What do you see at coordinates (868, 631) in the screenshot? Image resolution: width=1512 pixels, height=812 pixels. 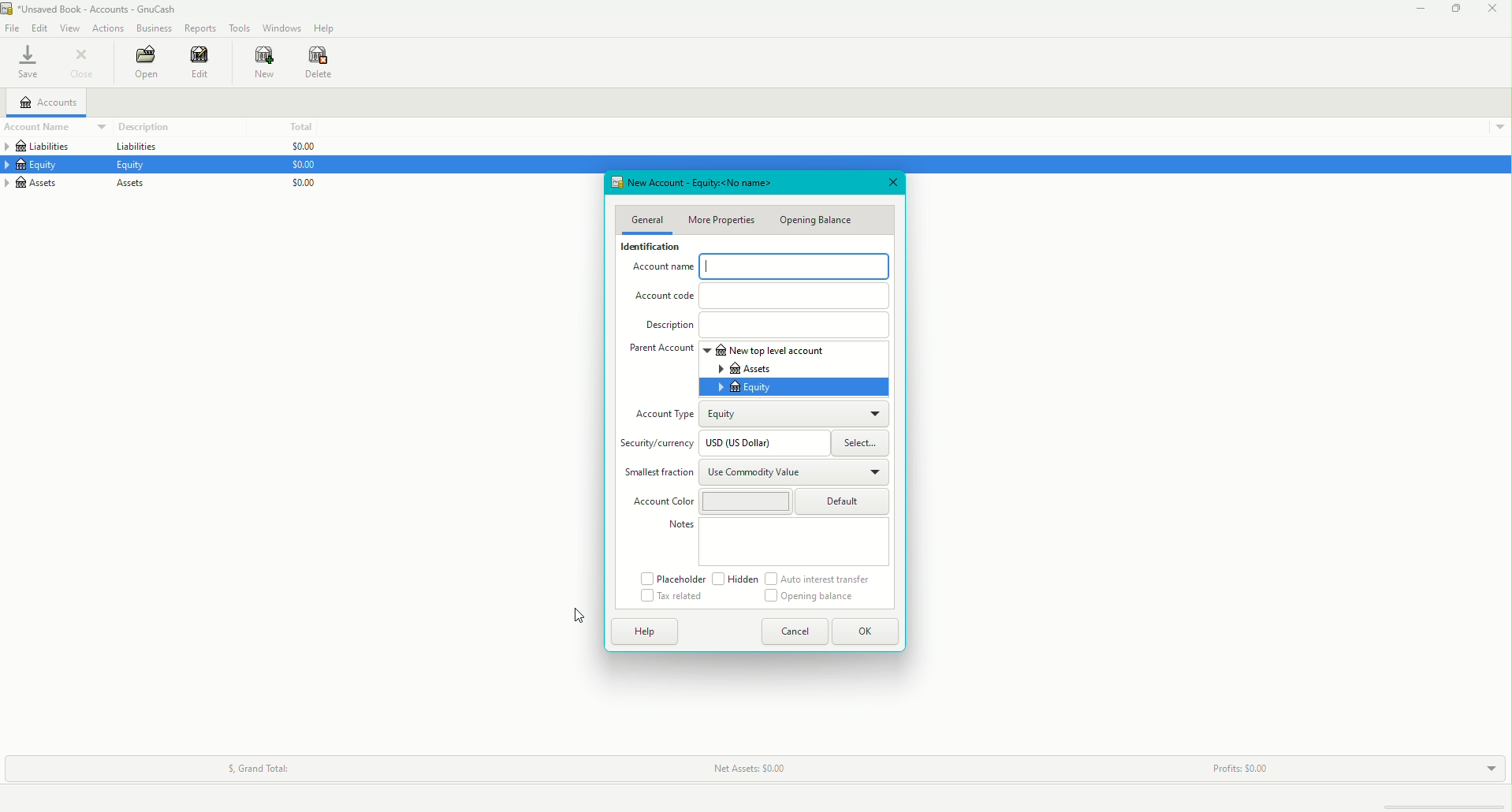 I see `OK` at bounding box center [868, 631].